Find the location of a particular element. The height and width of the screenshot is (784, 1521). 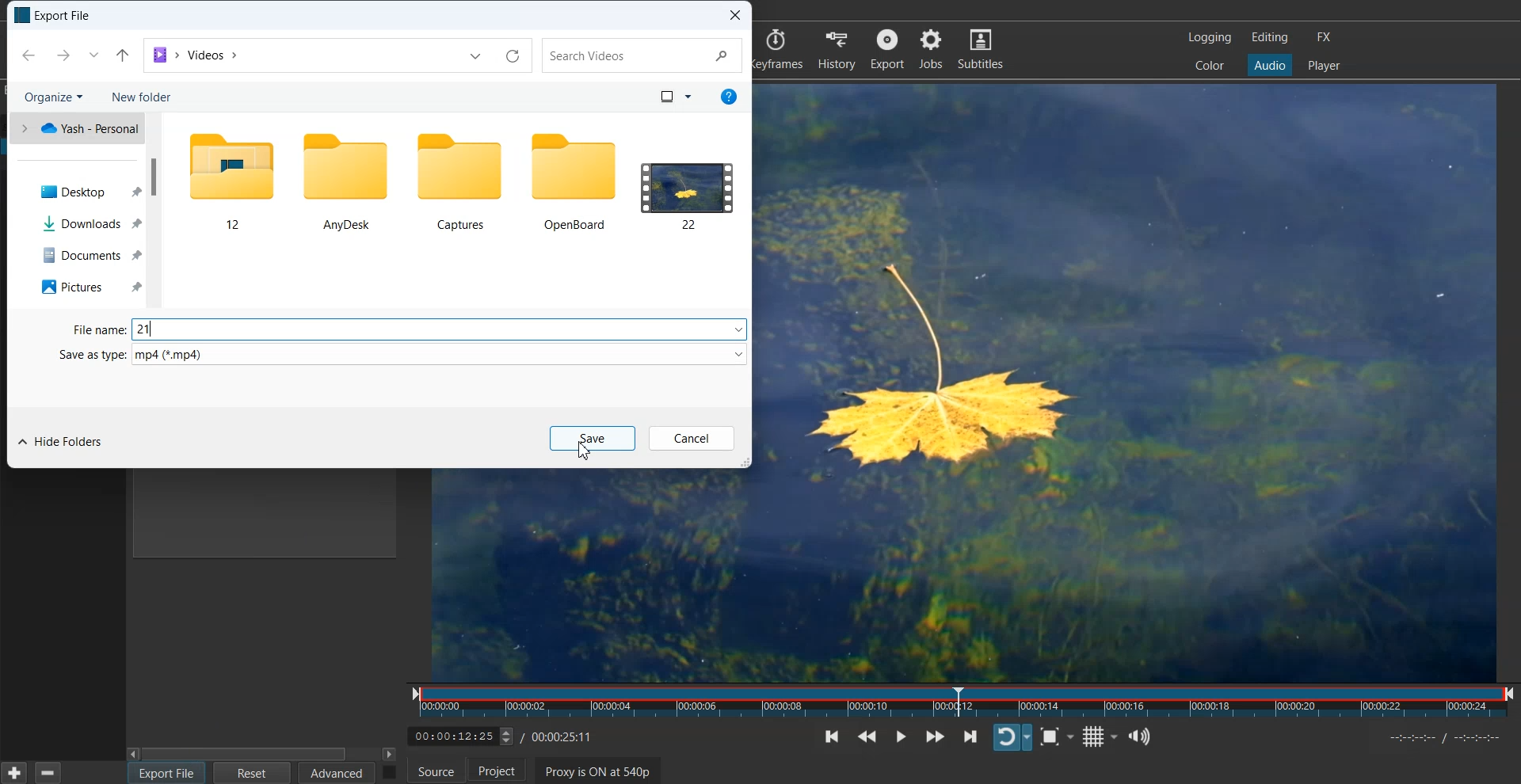

Downloads is located at coordinates (95, 222).